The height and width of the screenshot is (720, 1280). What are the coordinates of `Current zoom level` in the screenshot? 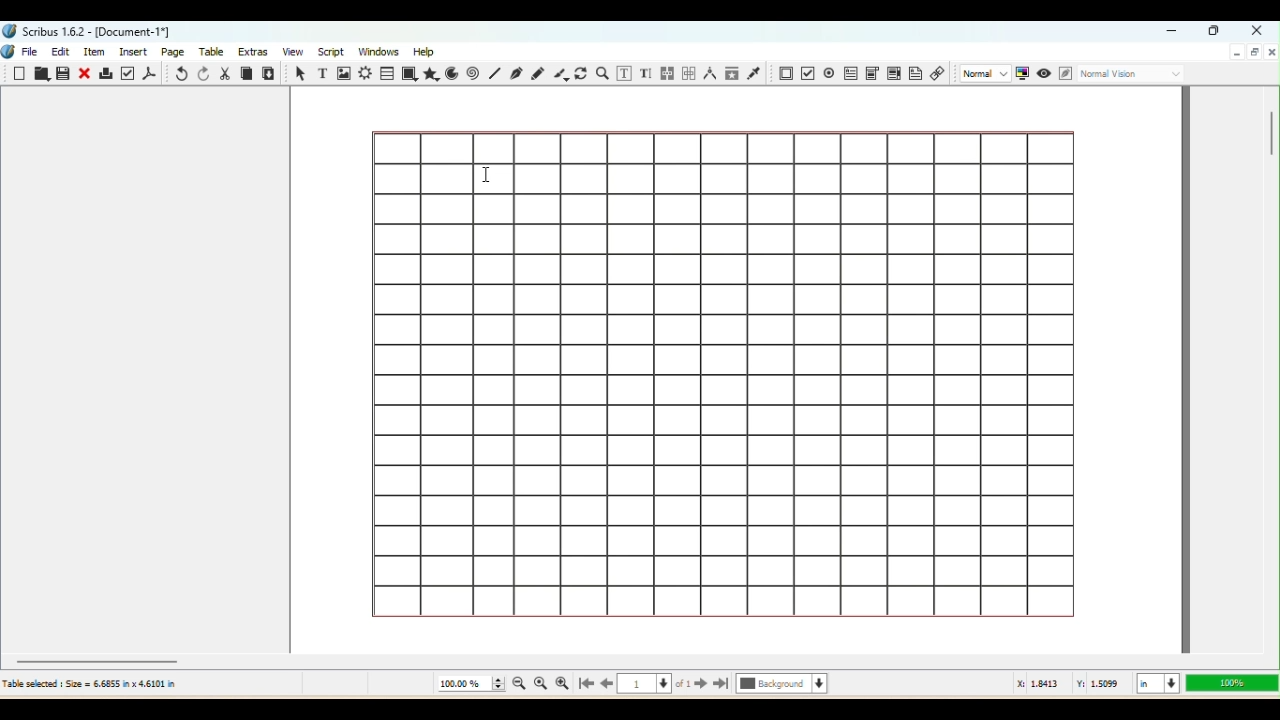 It's located at (470, 684).